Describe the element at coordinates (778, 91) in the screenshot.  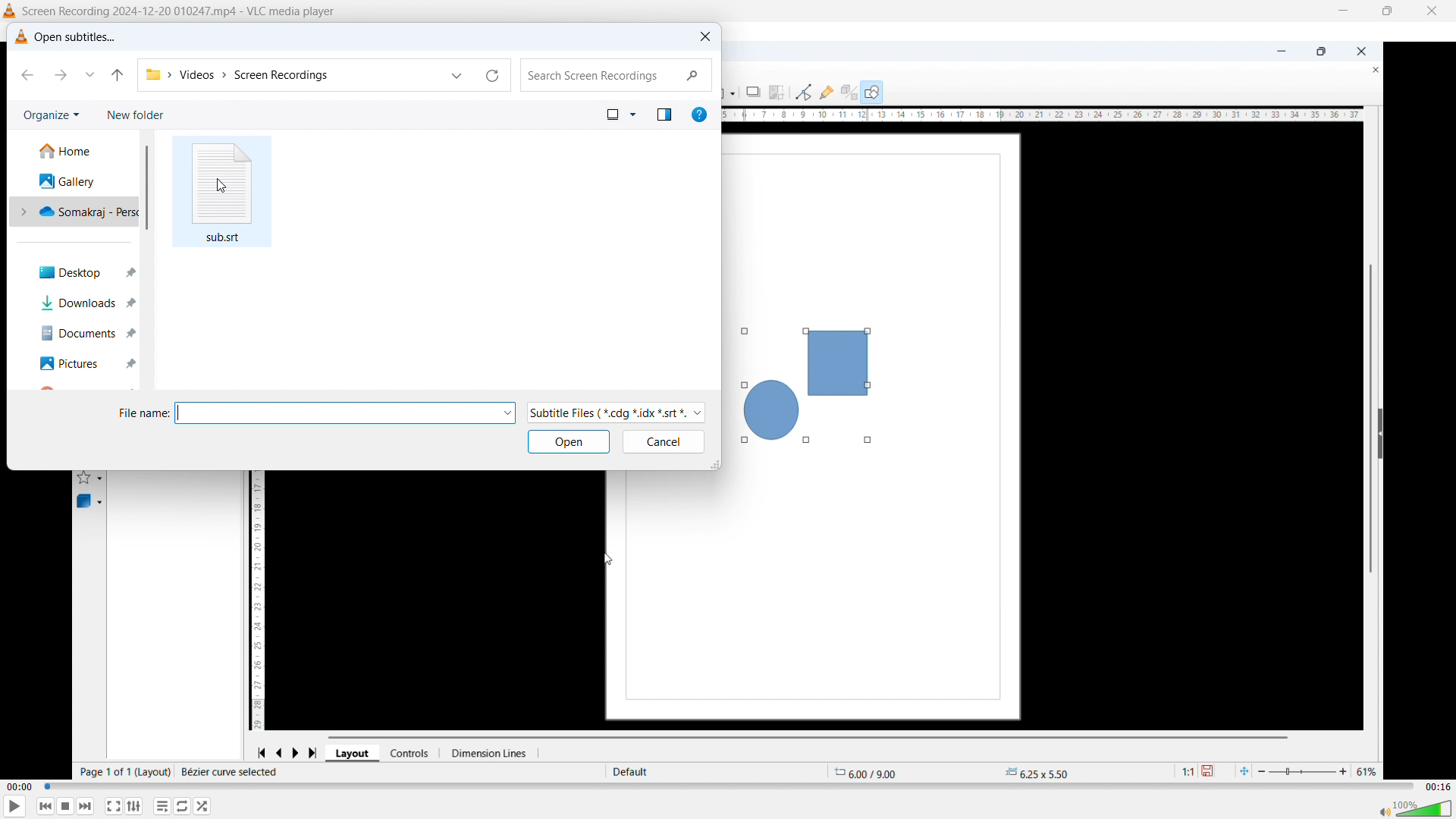
I see `crop image` at that location.